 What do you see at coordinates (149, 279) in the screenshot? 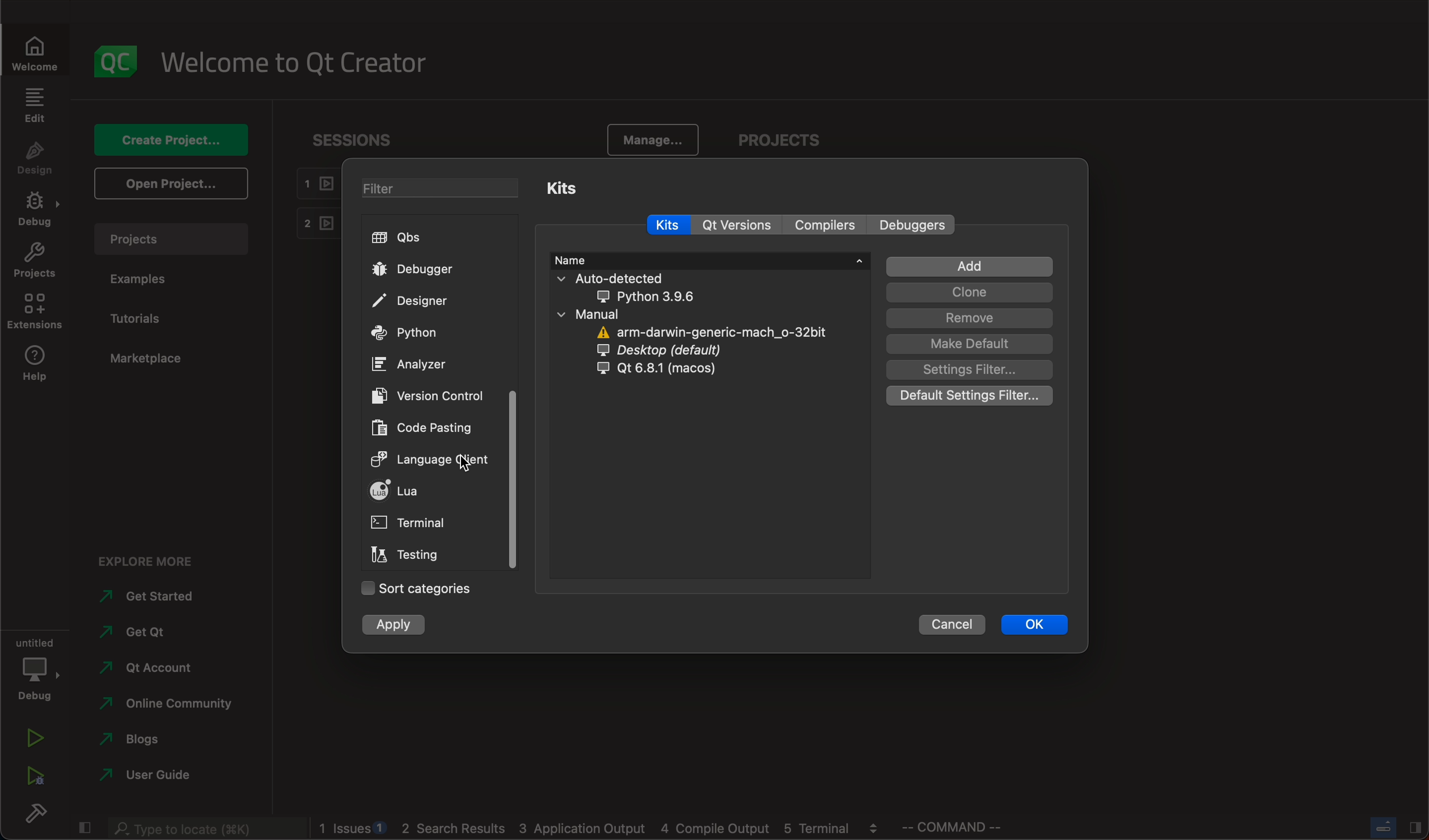
I see `examples` at bounding box center [149, 279].